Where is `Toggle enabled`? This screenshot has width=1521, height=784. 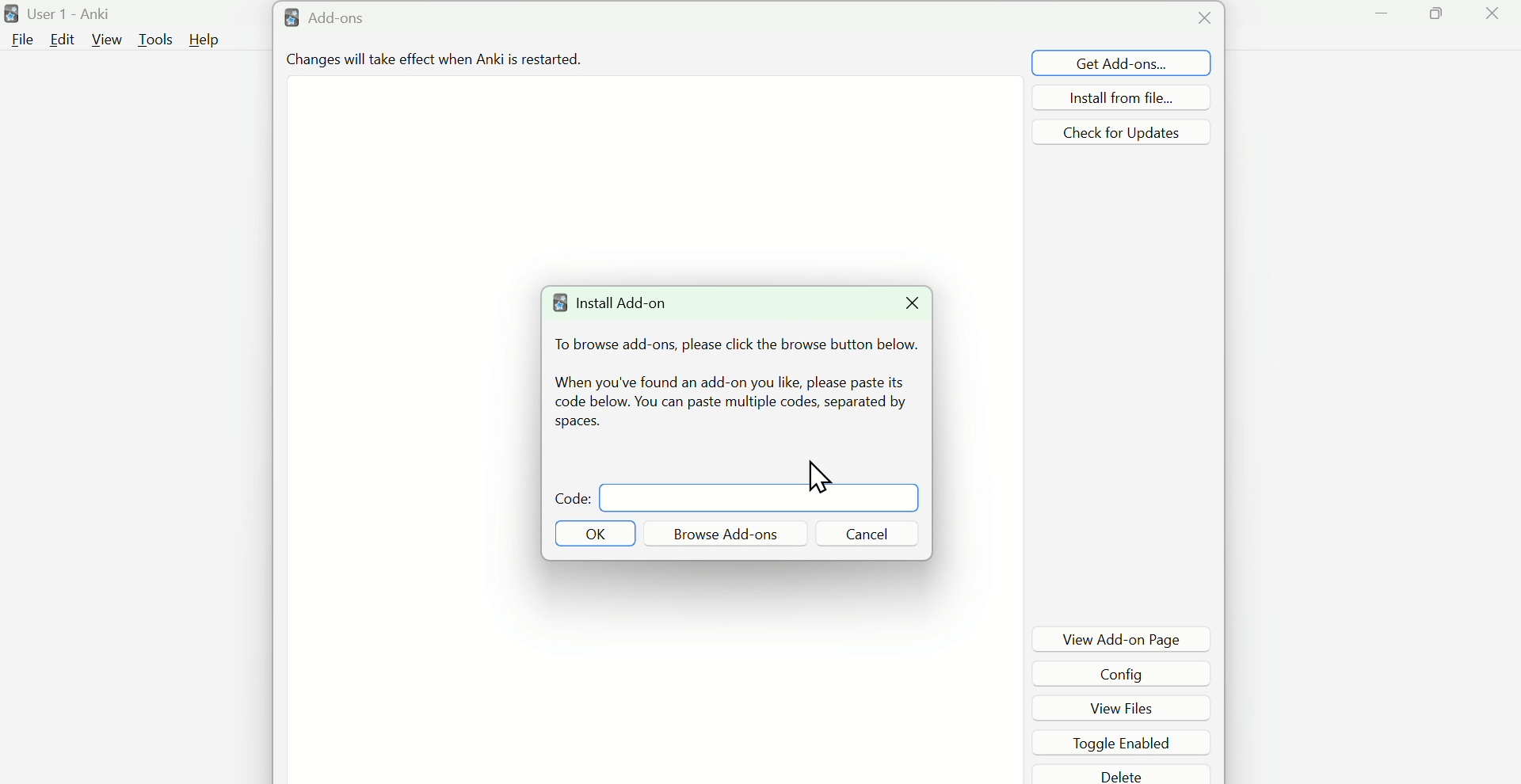
Toggle enabled is located at coordinates (1125, 740).